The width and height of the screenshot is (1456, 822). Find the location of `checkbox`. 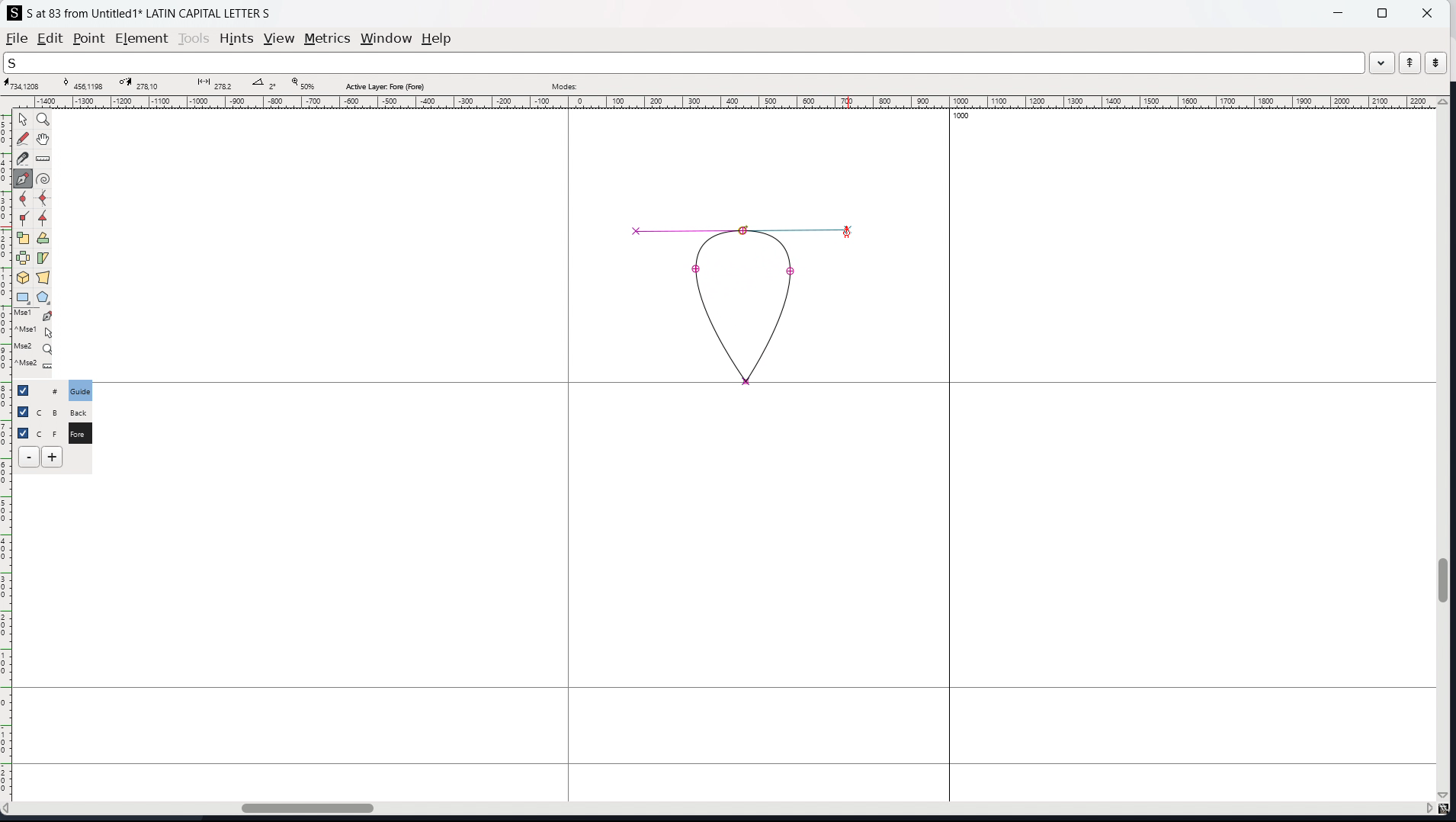

checkbox is located at coordinates (27, 390).